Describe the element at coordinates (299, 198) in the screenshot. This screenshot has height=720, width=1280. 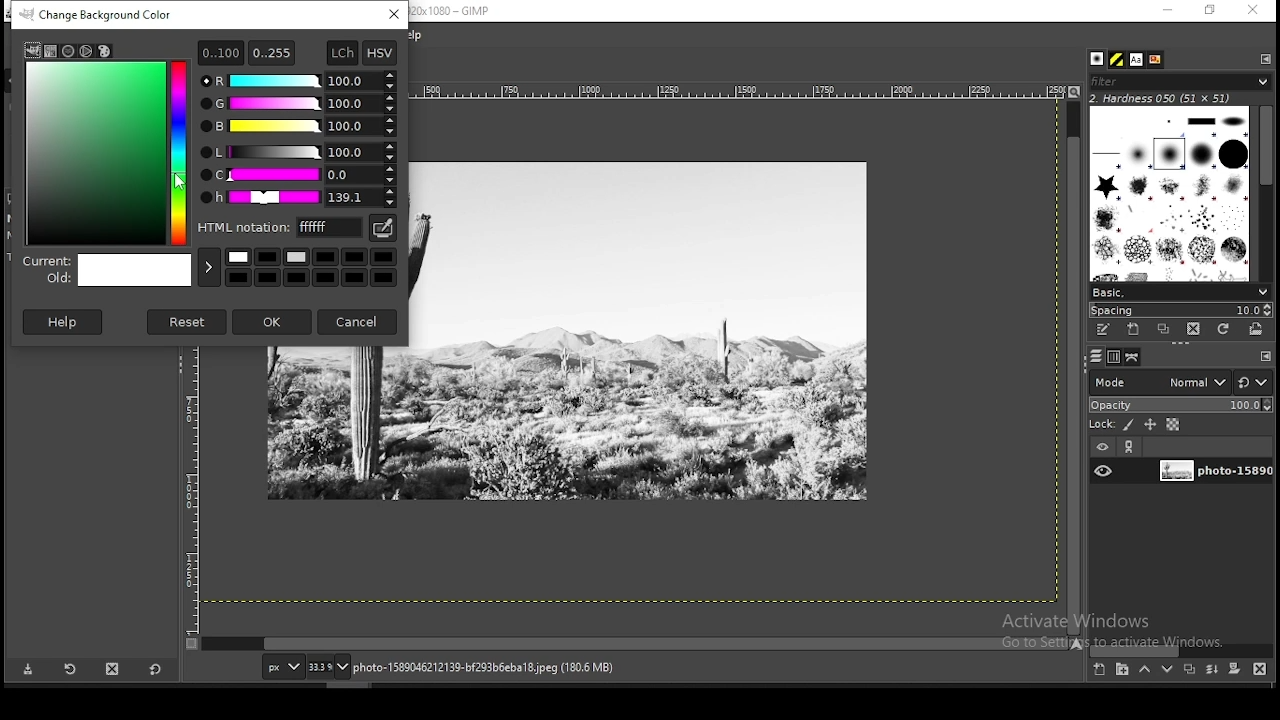
I see `lvh hue` at that location.